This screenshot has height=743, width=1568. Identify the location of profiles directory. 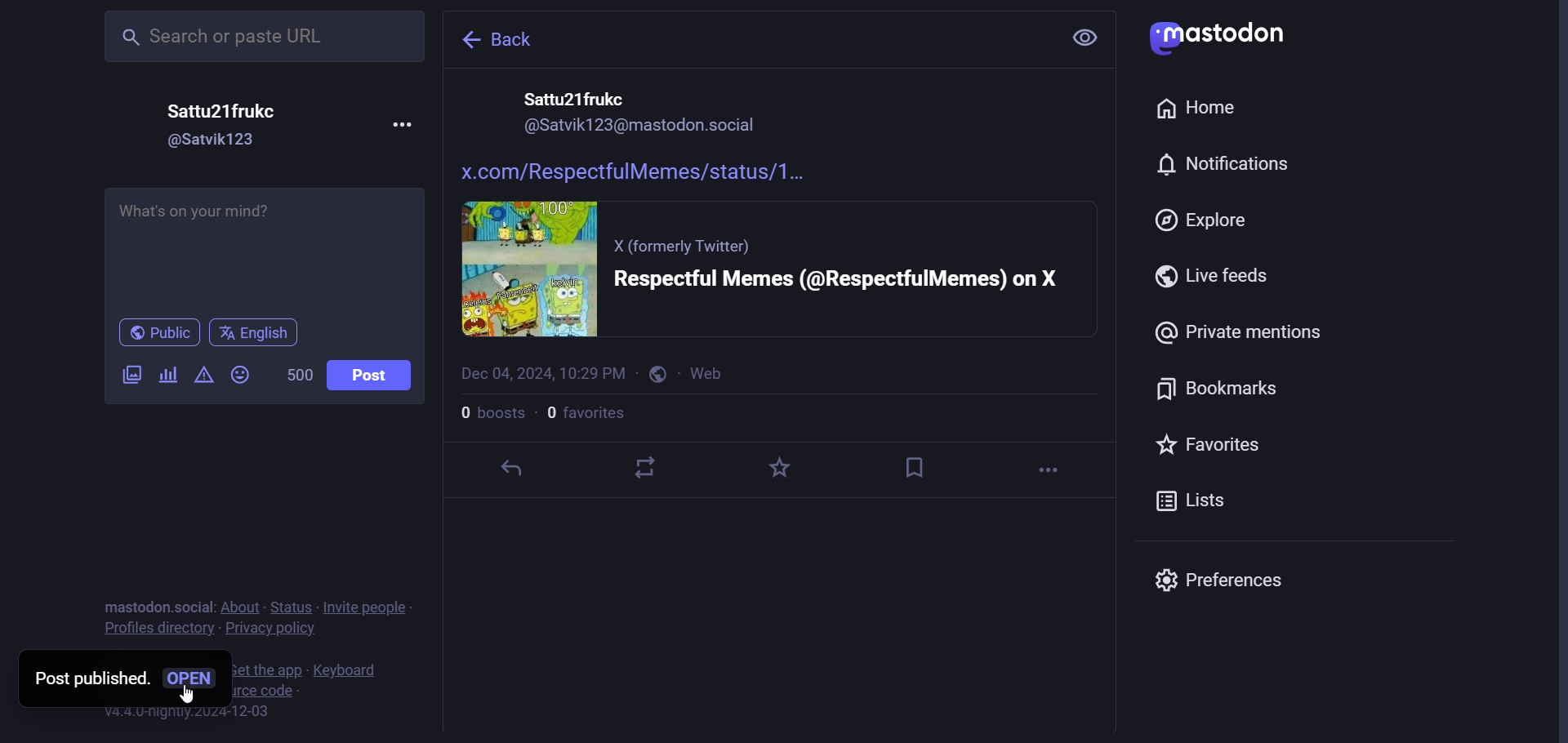
(156, 631).